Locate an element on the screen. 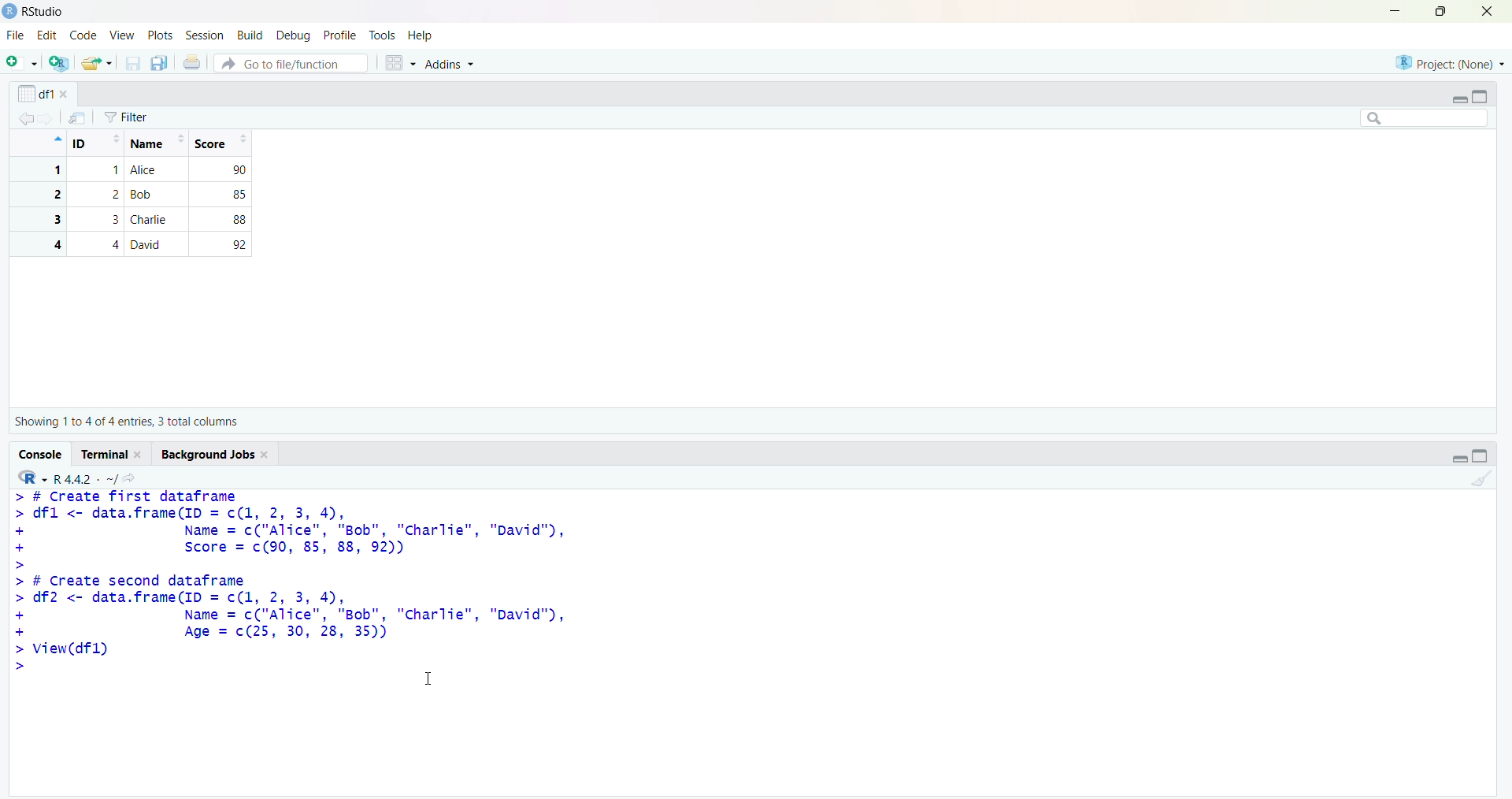 This screenshot has width=1512, height=799. 1 1 Alice 90 is located at coordinates (135, 170).